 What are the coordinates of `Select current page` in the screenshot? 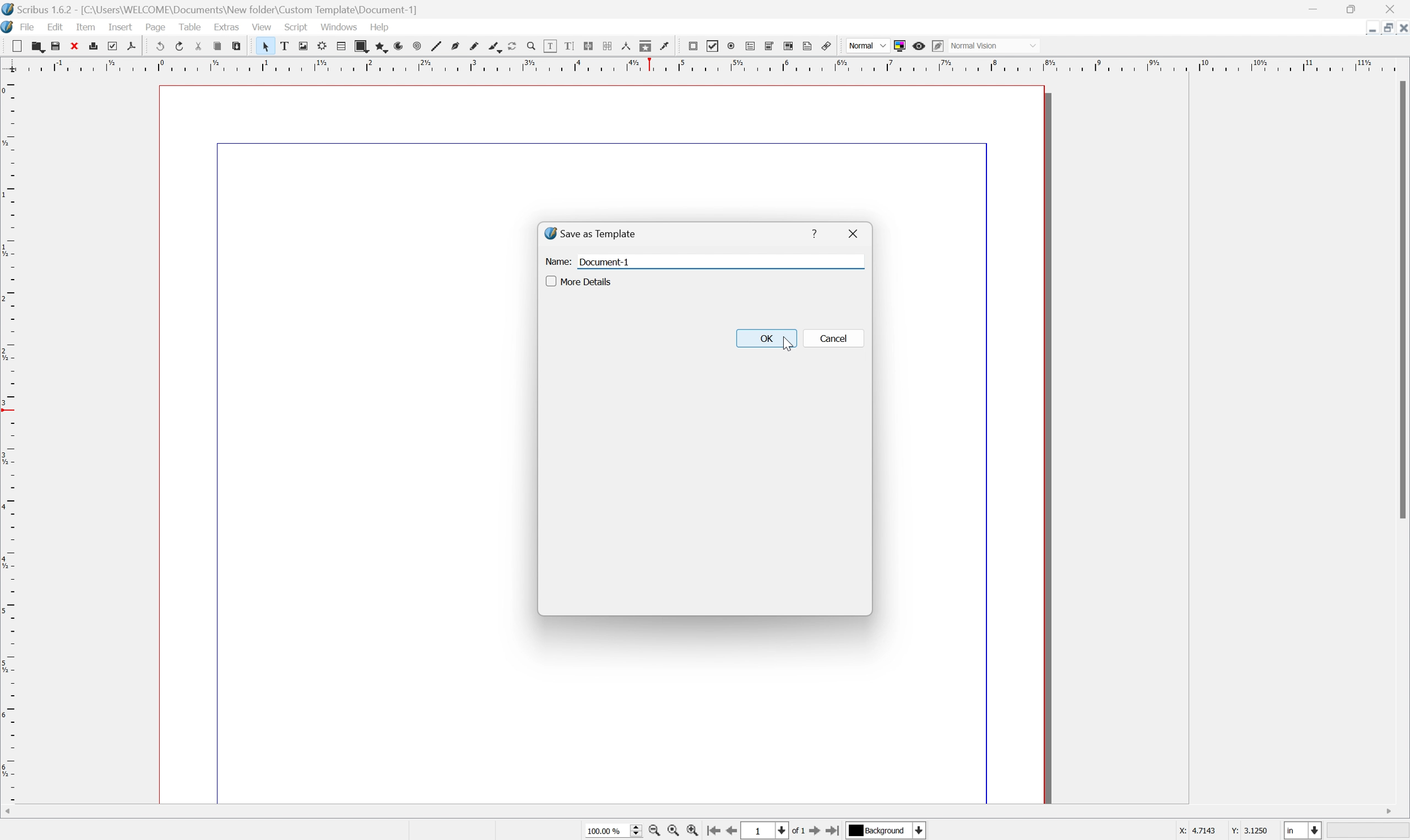 It's located at (773, 832).